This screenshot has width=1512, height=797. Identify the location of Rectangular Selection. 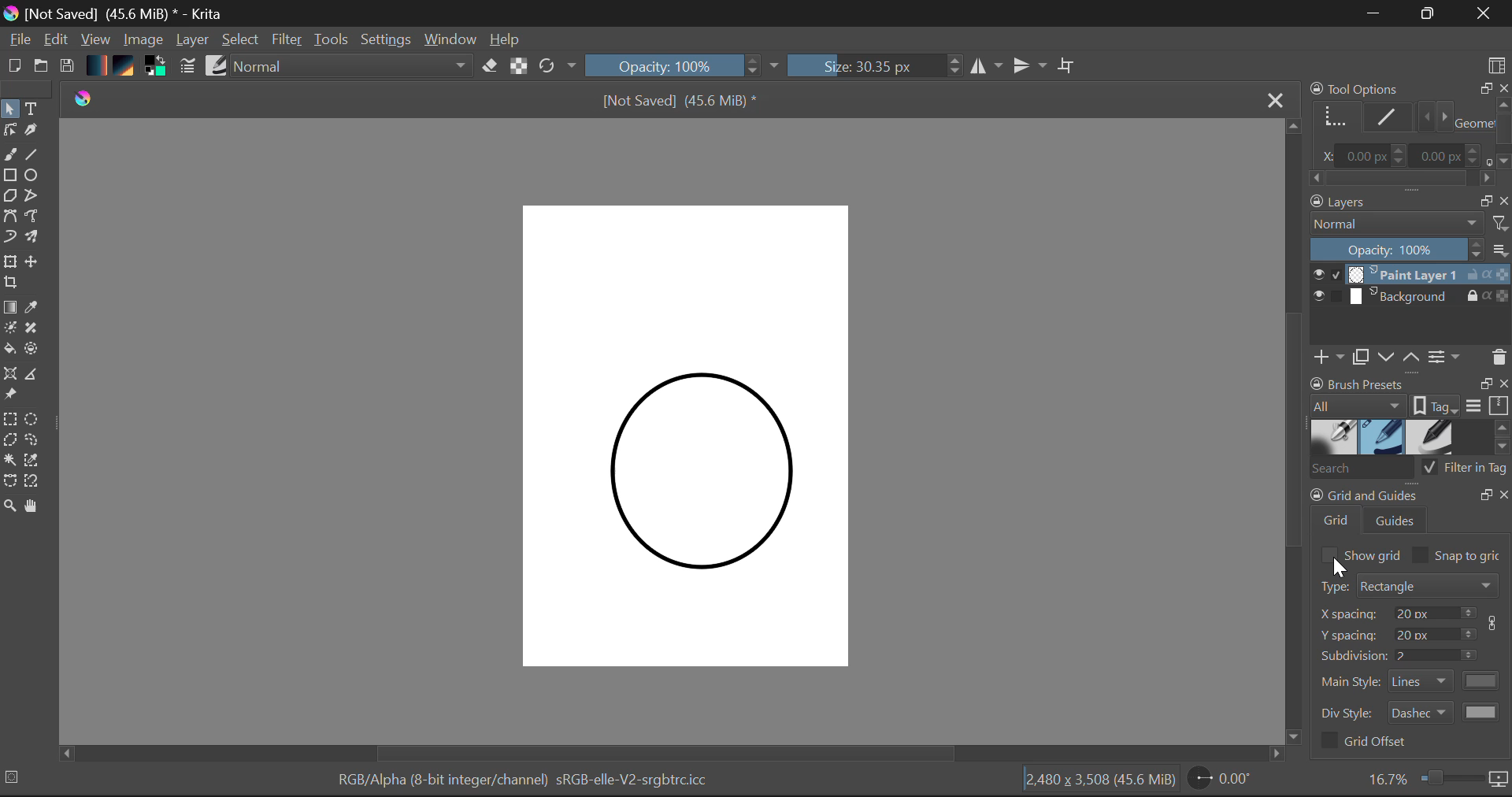
(11, 419).